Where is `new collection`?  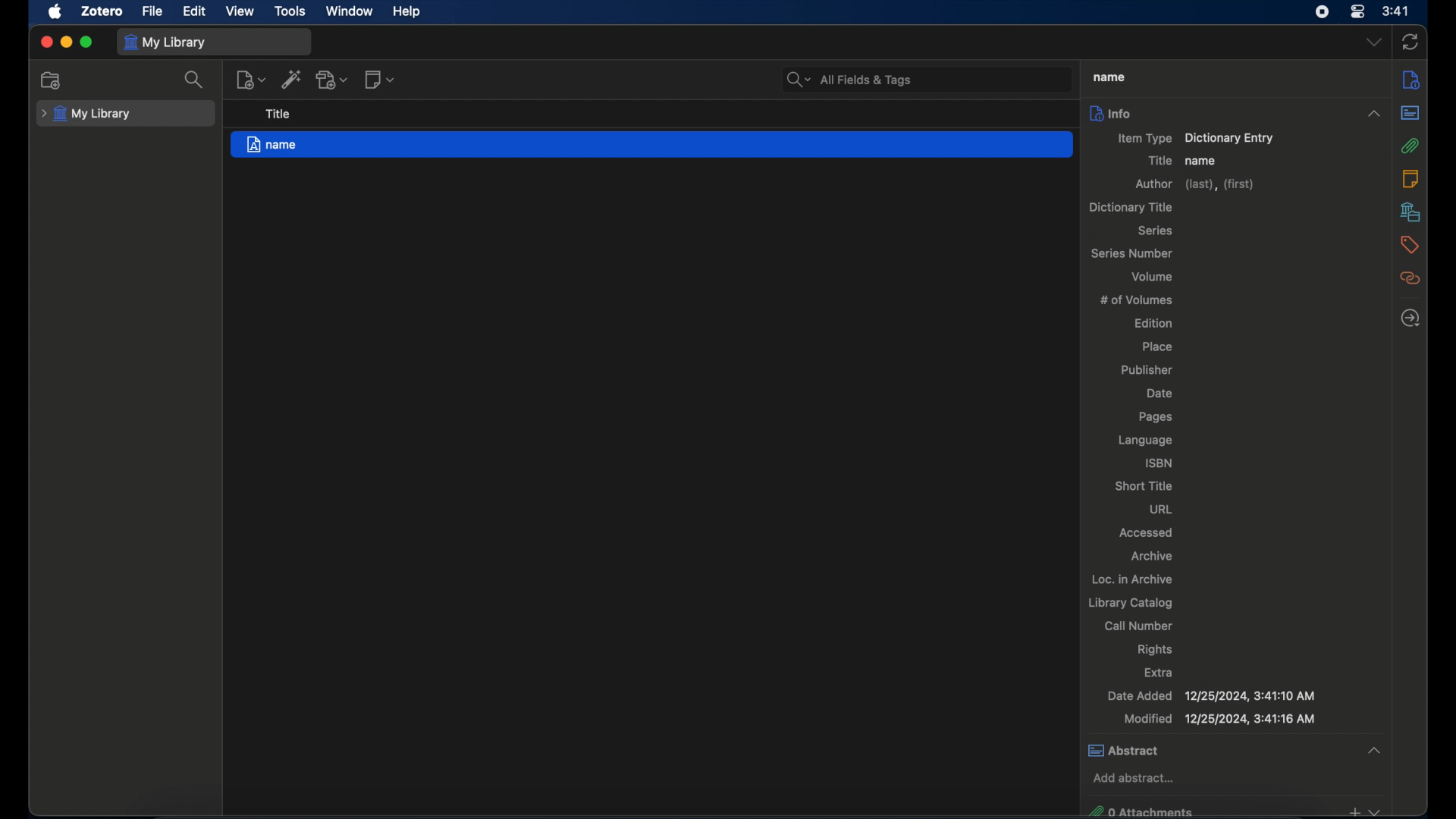
new collection is located at coordinates (52, 80).